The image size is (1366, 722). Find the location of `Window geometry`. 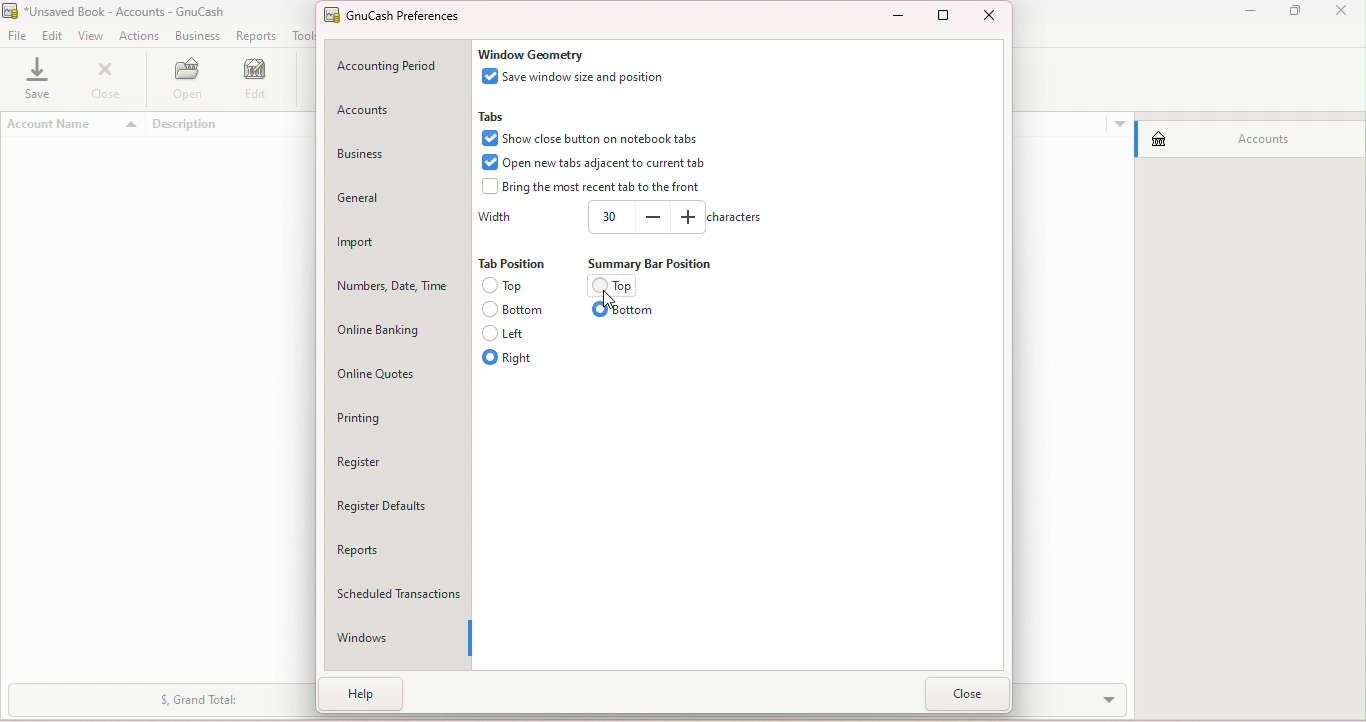

Window geometry is located at coordinates (539, 51).